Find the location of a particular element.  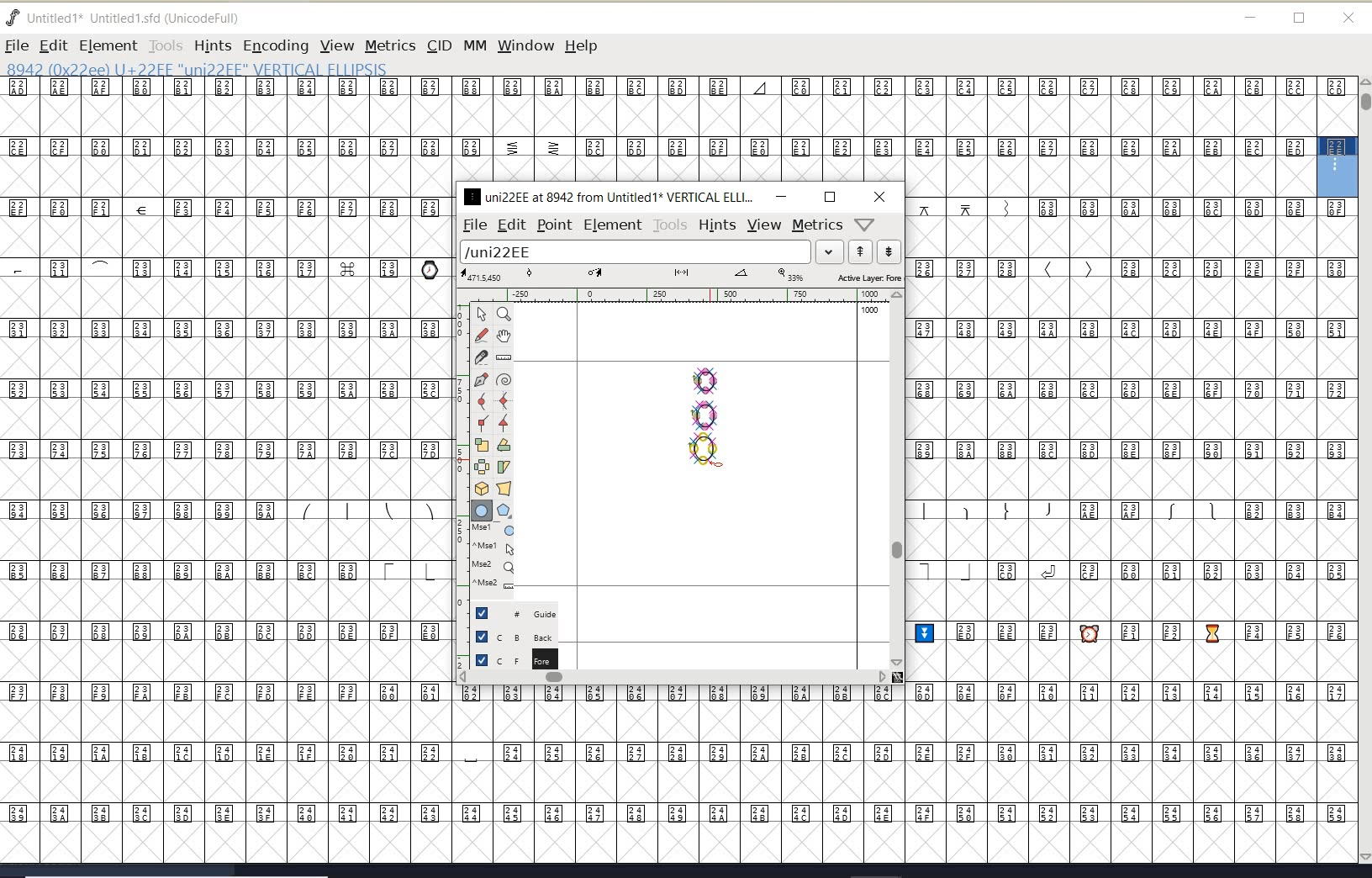

uni22EE at 8942 from Untitled1 VERTICAL ELLIPSE is located at coordinates (609, 196).